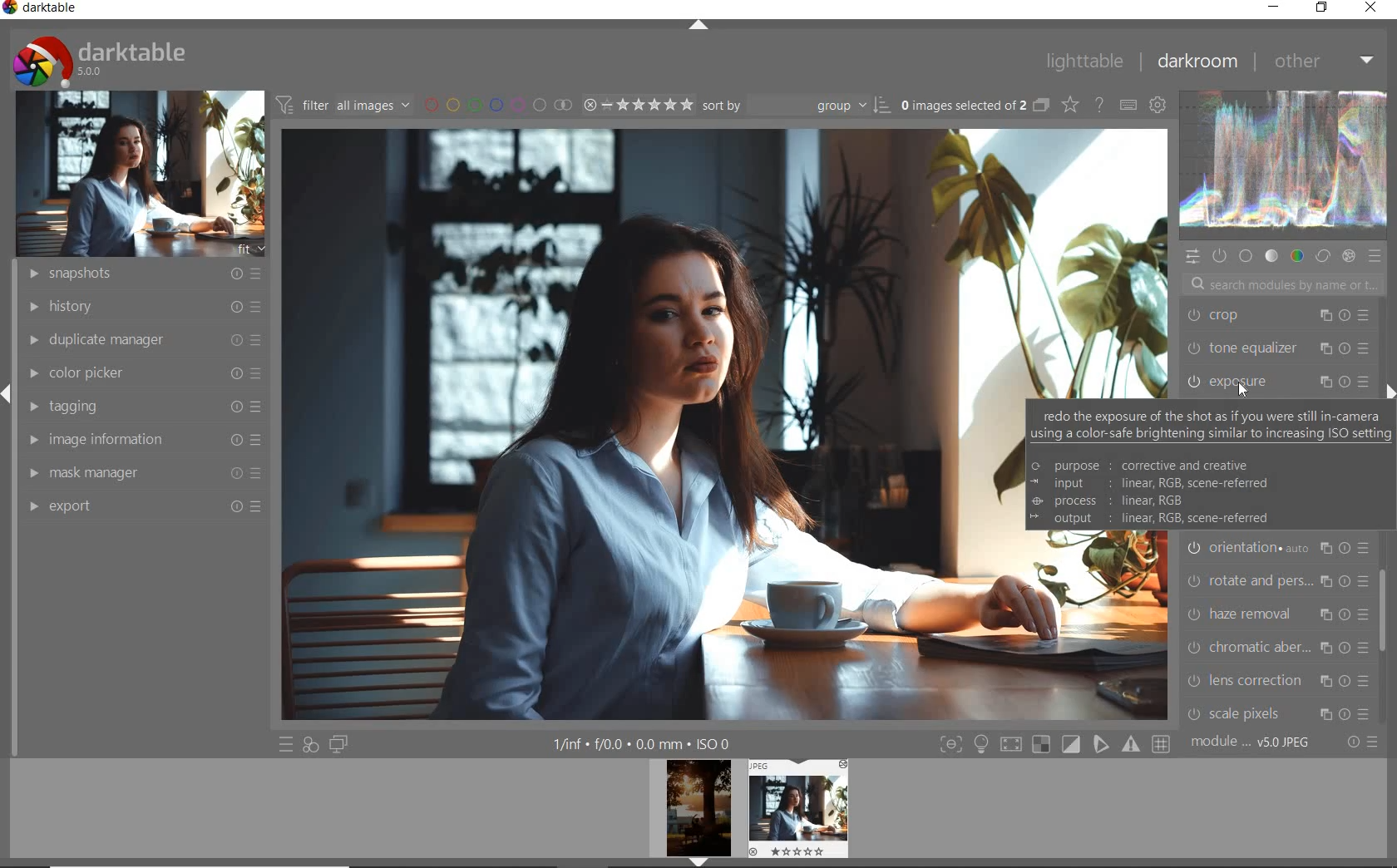 The height and width of the screenshot is (868, 1397). I want to click on OTHER, so click(1325, 64).